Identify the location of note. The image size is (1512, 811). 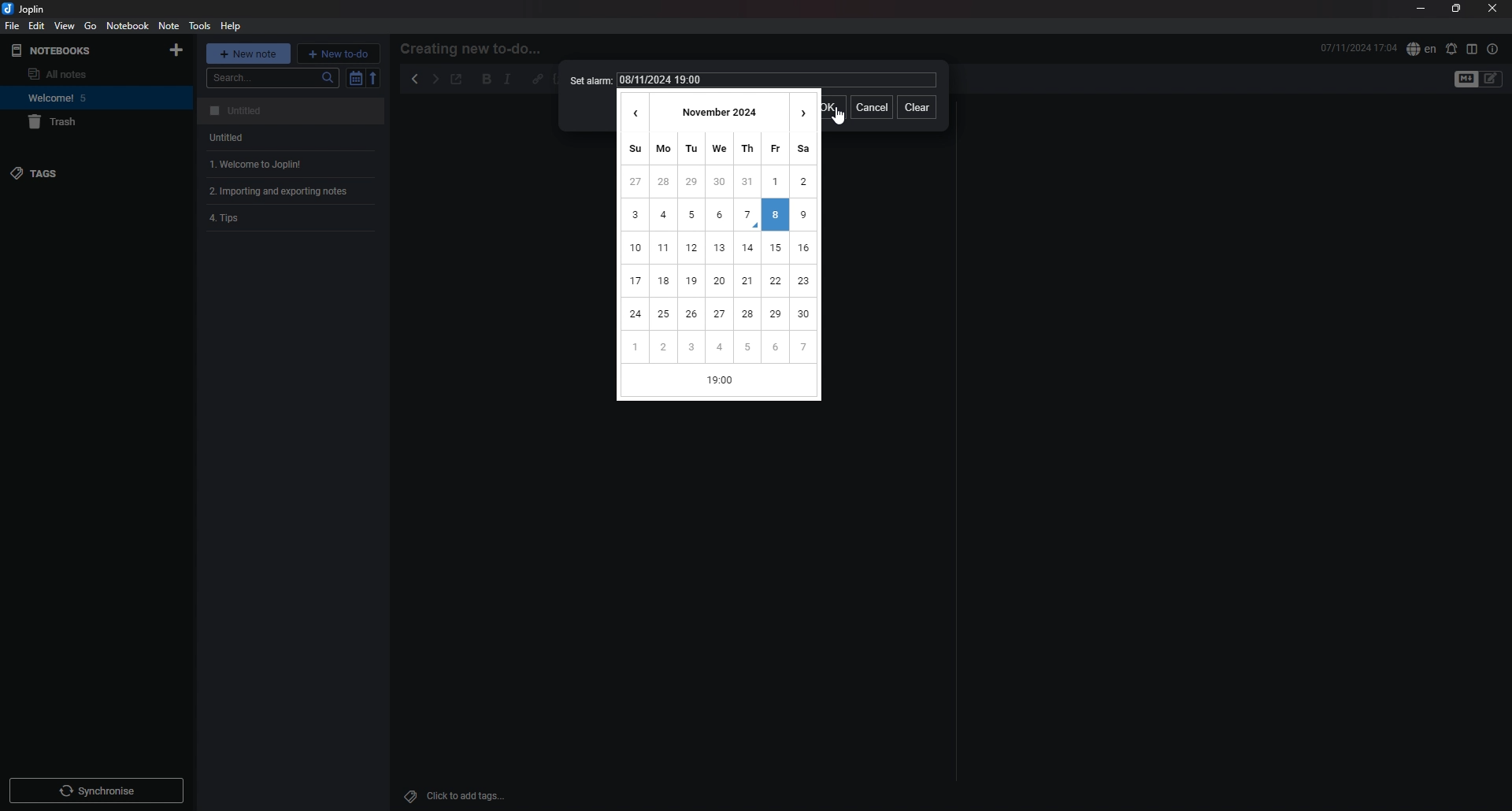
(292, 164).